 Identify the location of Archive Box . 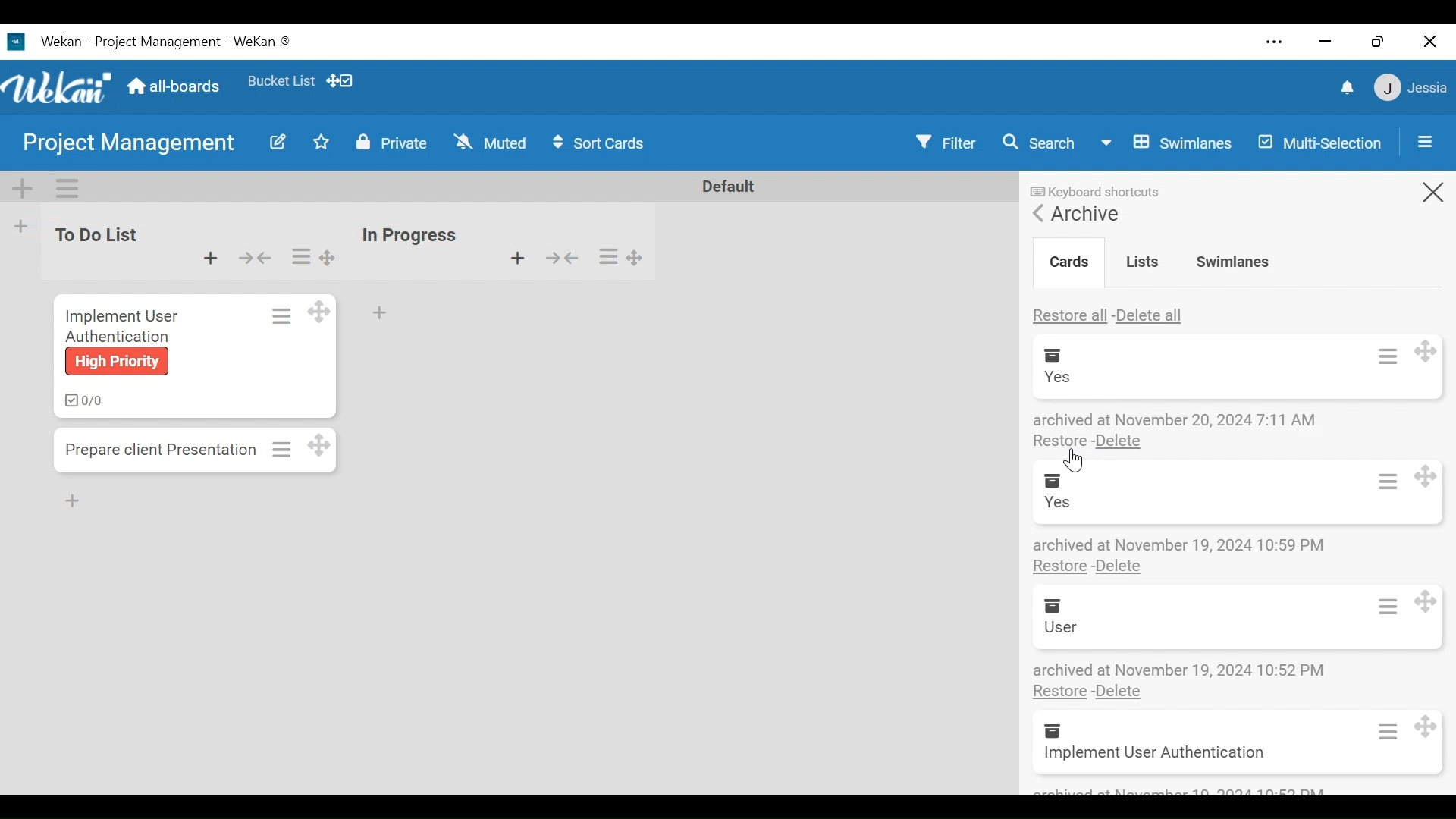
(1048, 730).